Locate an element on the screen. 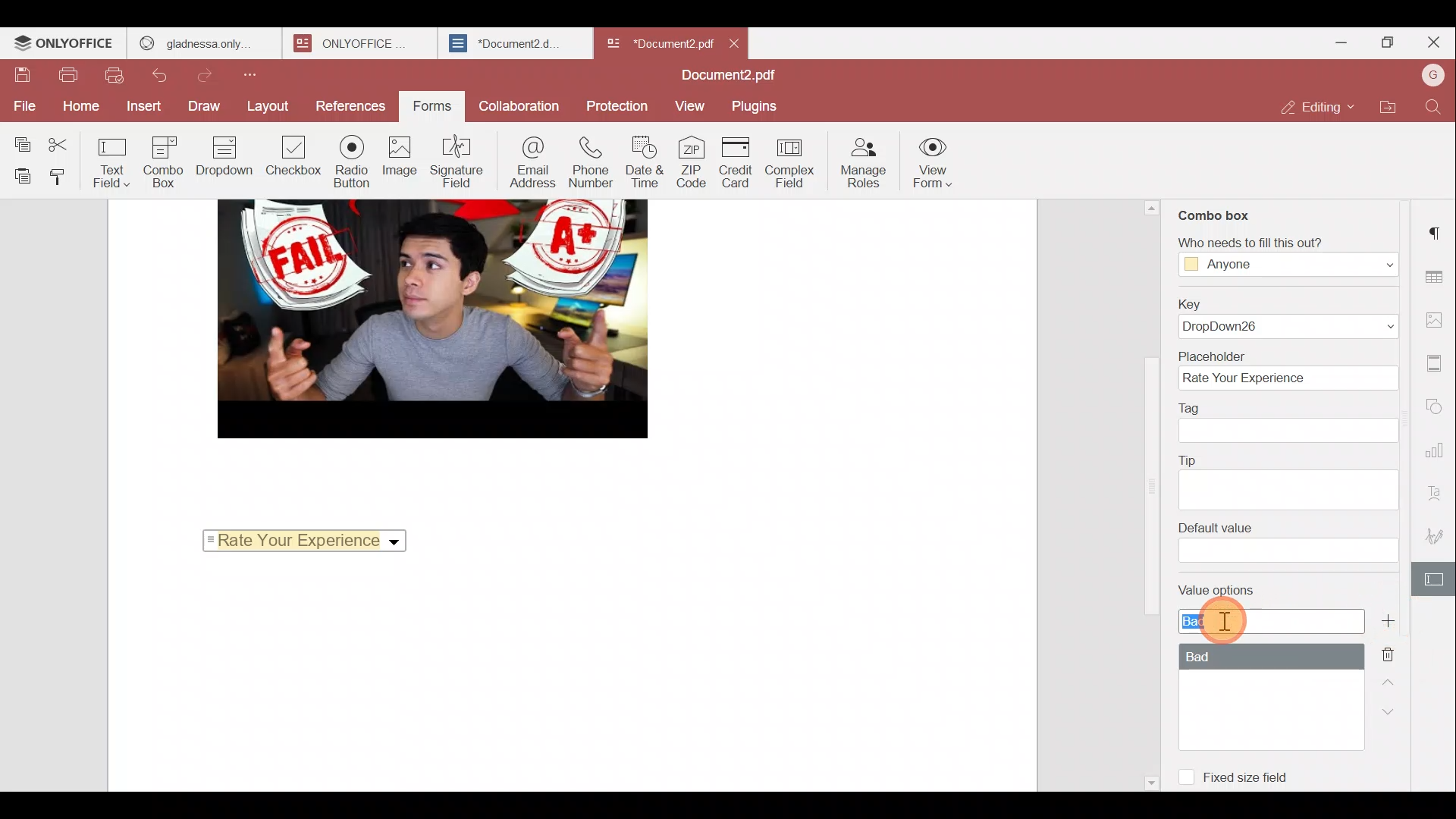 The height and width of the screenshot is (819, 1456). Remove value is located at coordinates (1391, 655).